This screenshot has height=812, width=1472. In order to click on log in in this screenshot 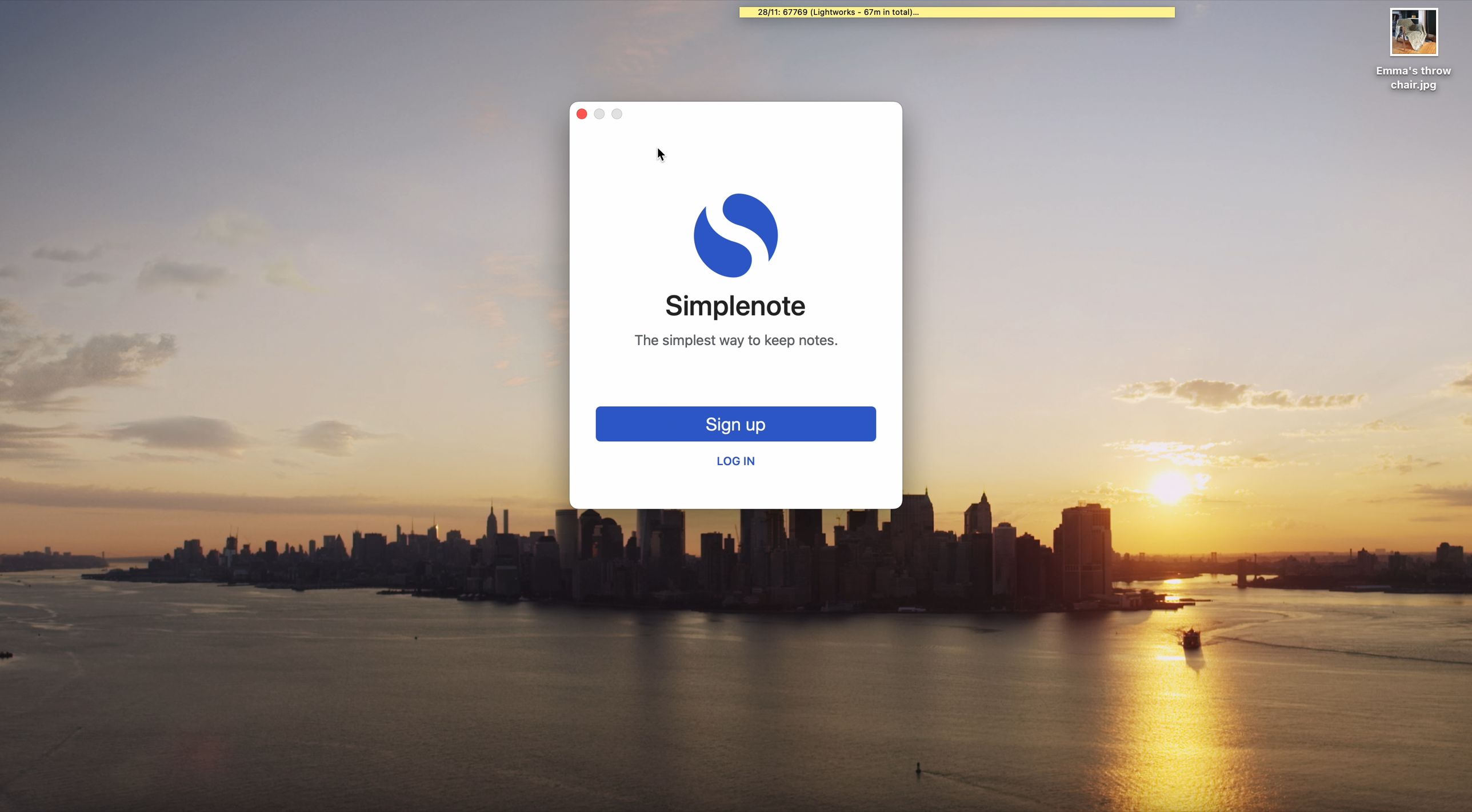, I will do `click(735, 462)`.